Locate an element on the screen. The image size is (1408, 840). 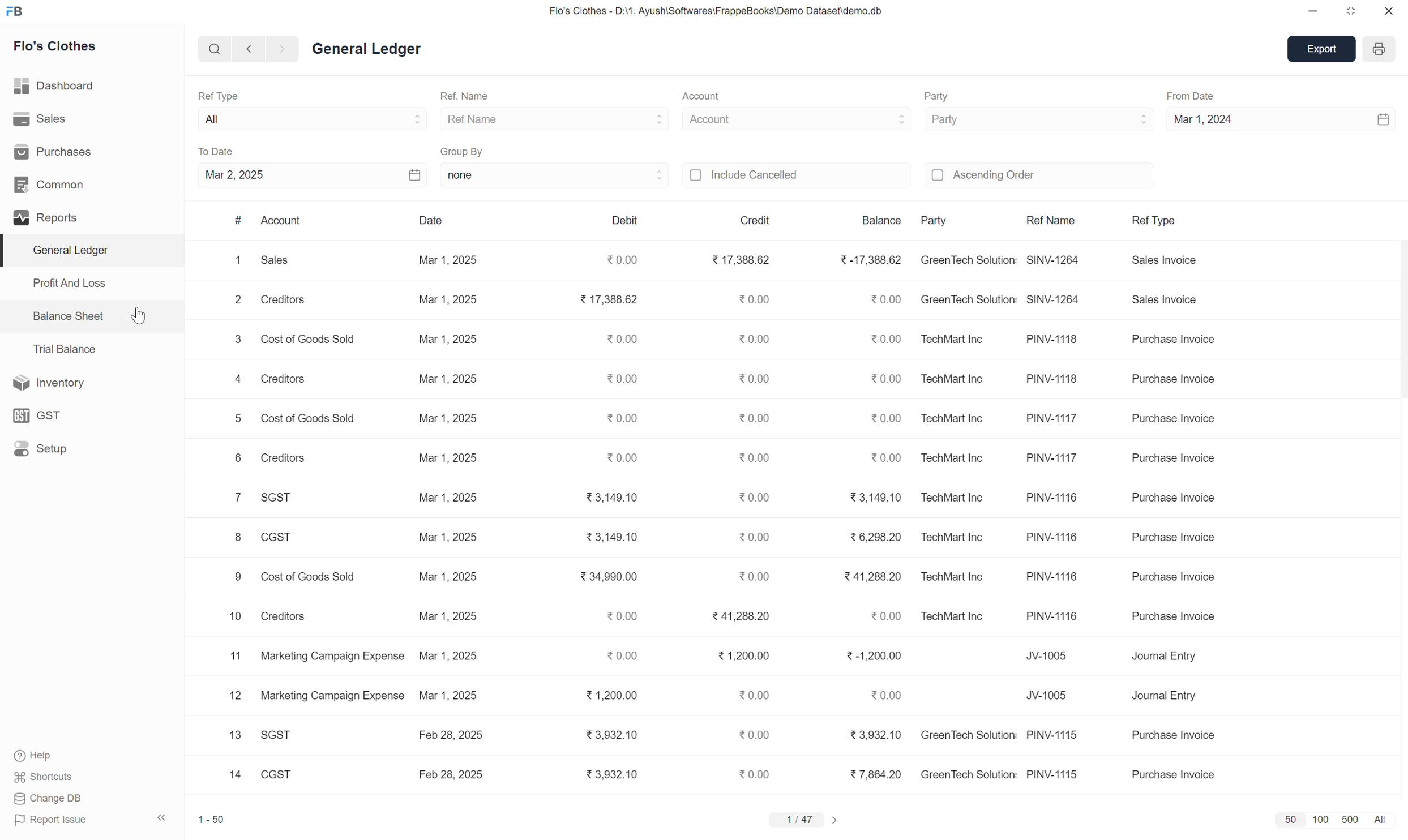
PNW 1118 is located at coordinates (1035, 377).